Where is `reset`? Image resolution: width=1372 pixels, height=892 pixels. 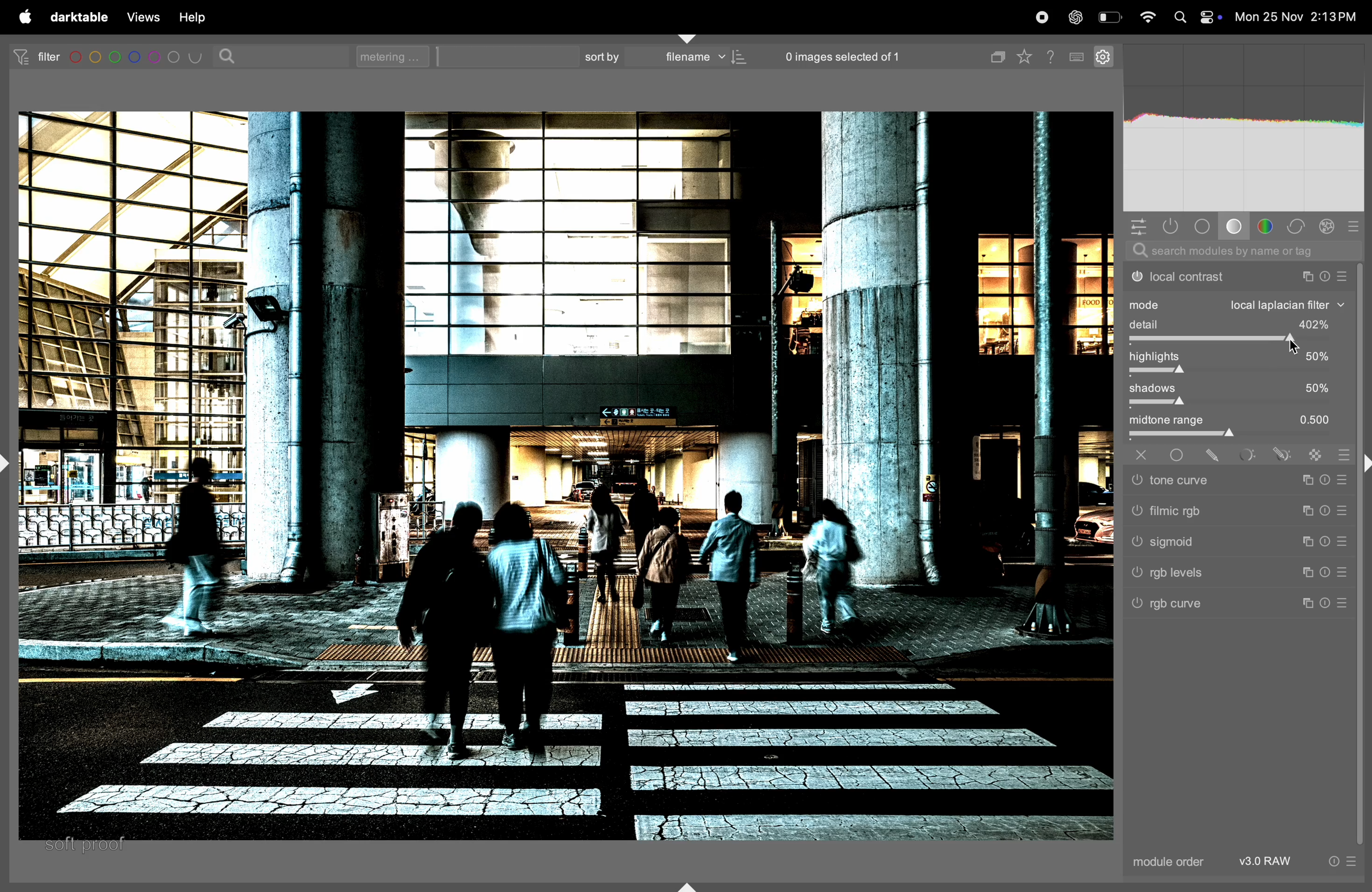
reset is located at coordinates (1332, 861).